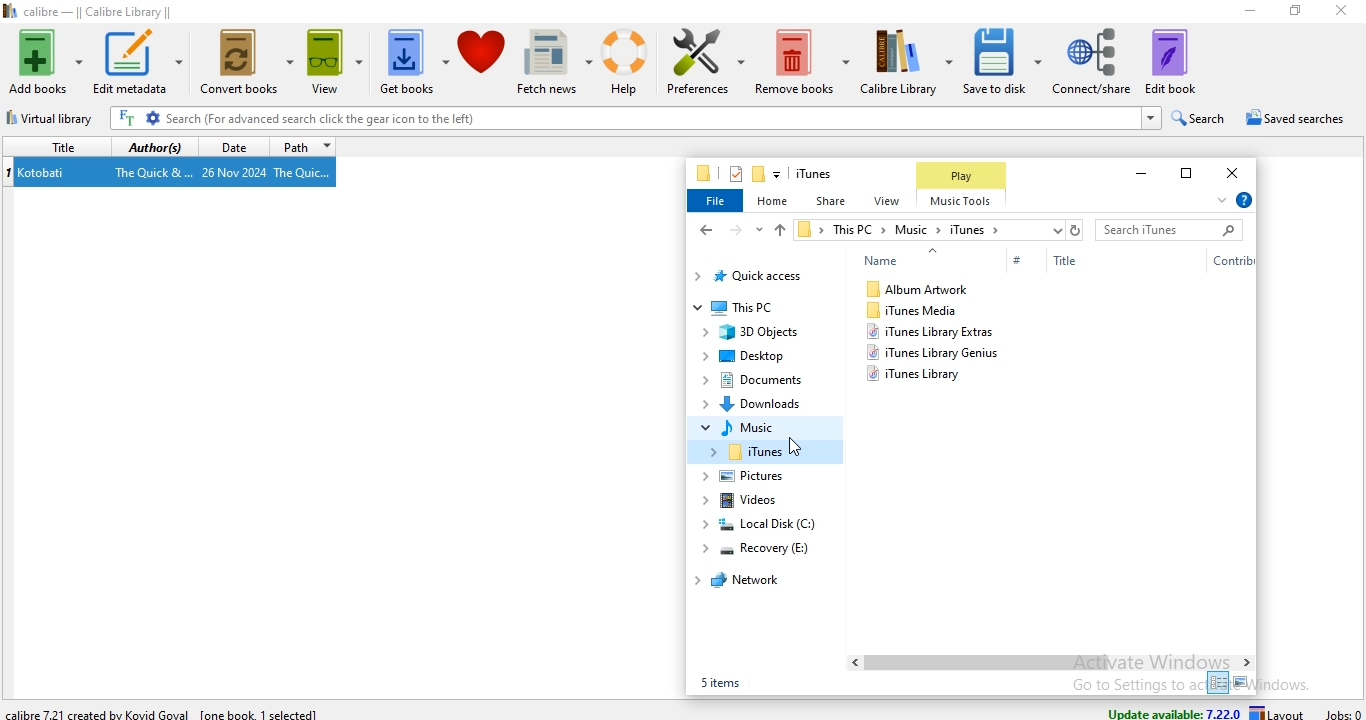 Image resolution: width=1366 pixels, height=720 pixels. Describe the element at coordinates (768, 308) in the screenshot. I see `This PC` at that location.